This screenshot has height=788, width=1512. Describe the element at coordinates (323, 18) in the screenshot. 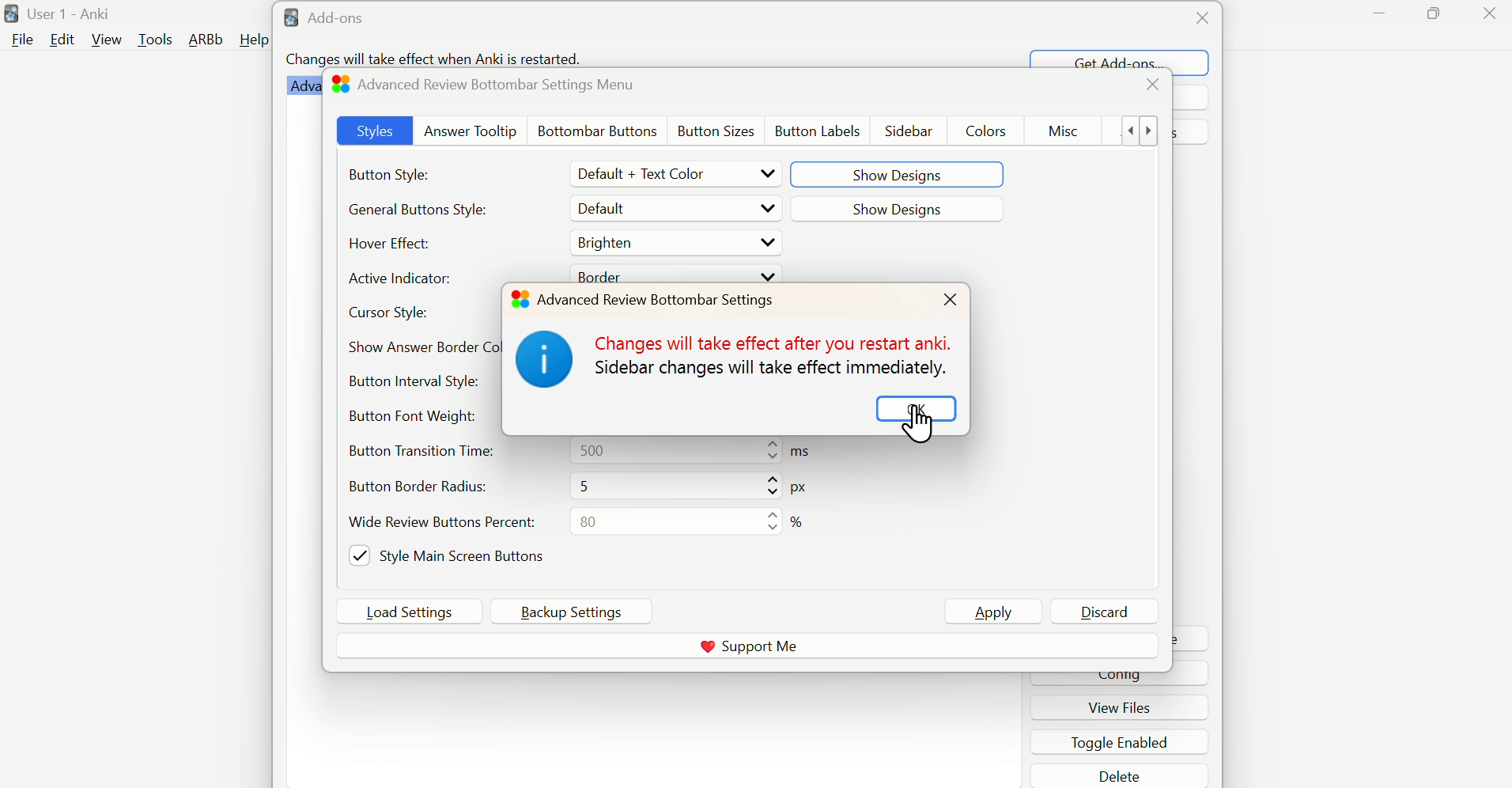

I see `Add-ons` at that location.